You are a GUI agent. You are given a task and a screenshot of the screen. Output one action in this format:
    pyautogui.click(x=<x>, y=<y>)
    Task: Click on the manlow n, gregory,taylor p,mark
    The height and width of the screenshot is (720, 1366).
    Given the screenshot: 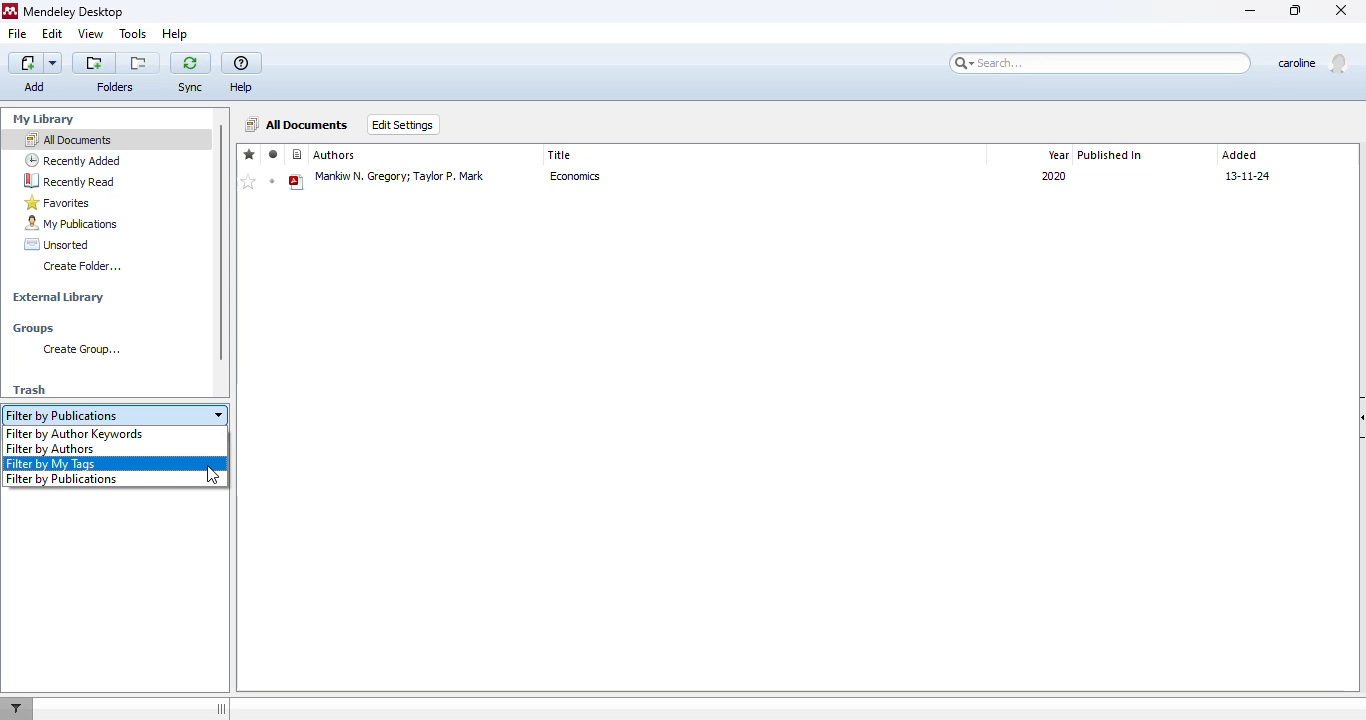 What is the action you would take?
    pyautogui.click(x=401, y=181)
    